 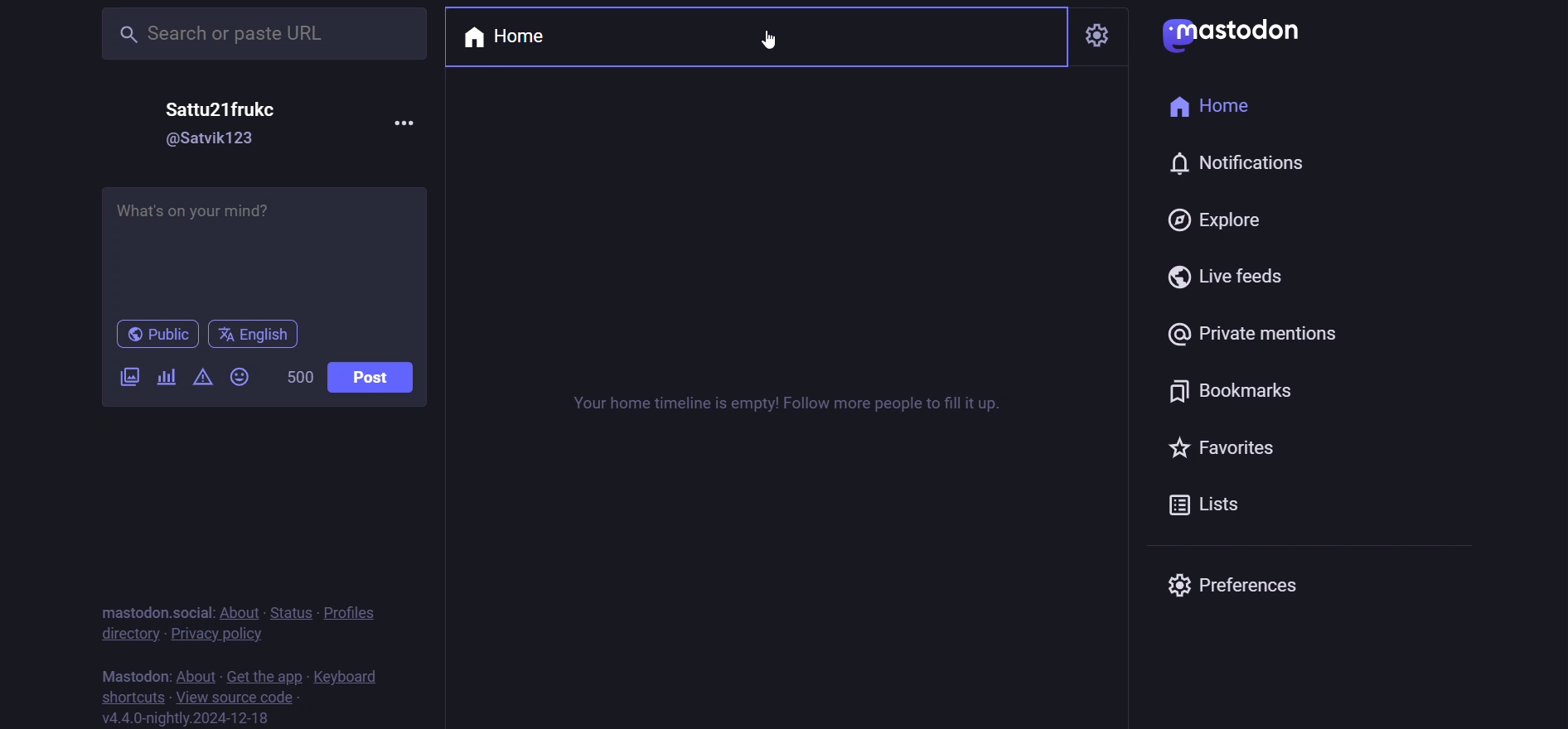 I want to click on private mention, so click(x=1263, y=333).